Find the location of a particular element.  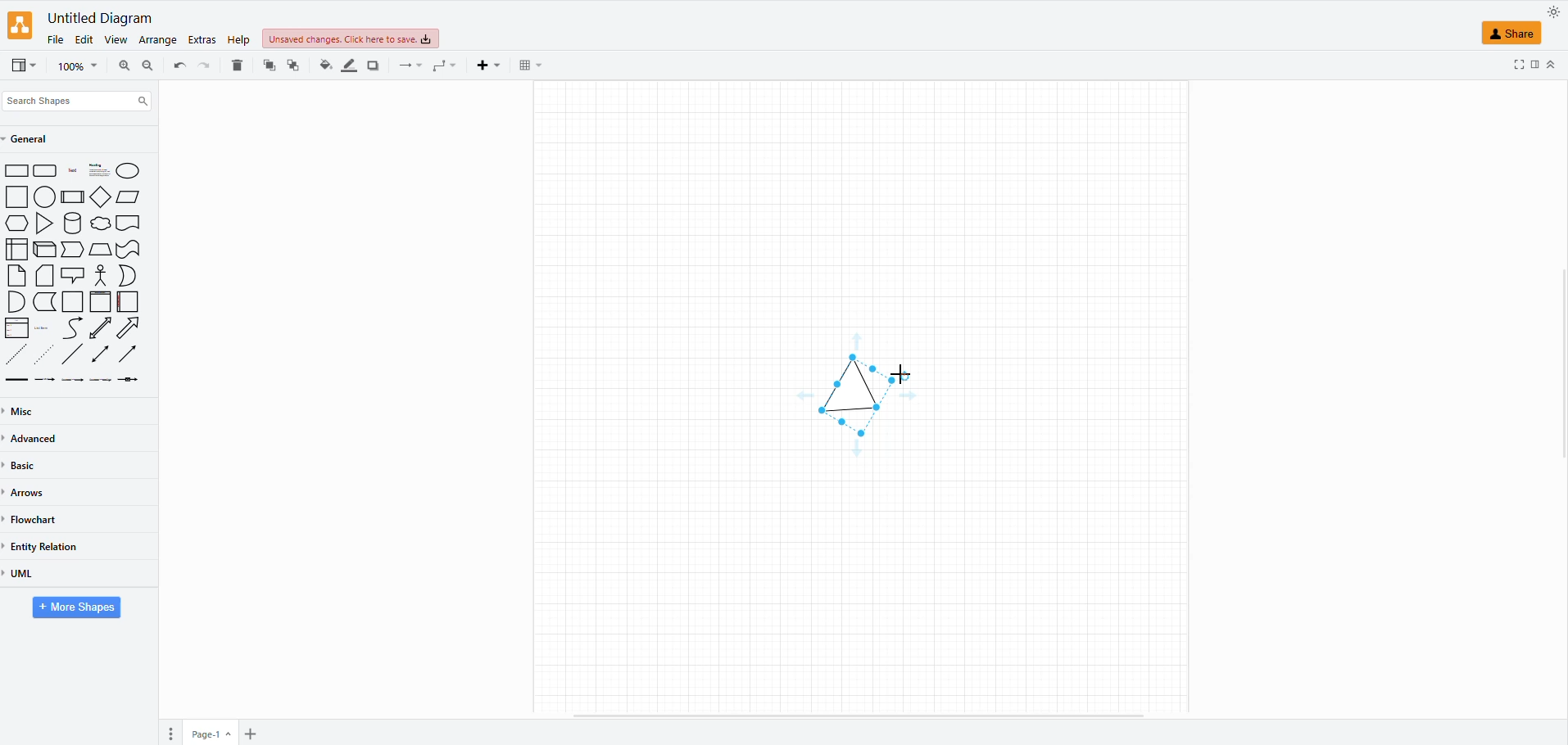

Two sided bordered Arrow is located at coordinates (100, 327).